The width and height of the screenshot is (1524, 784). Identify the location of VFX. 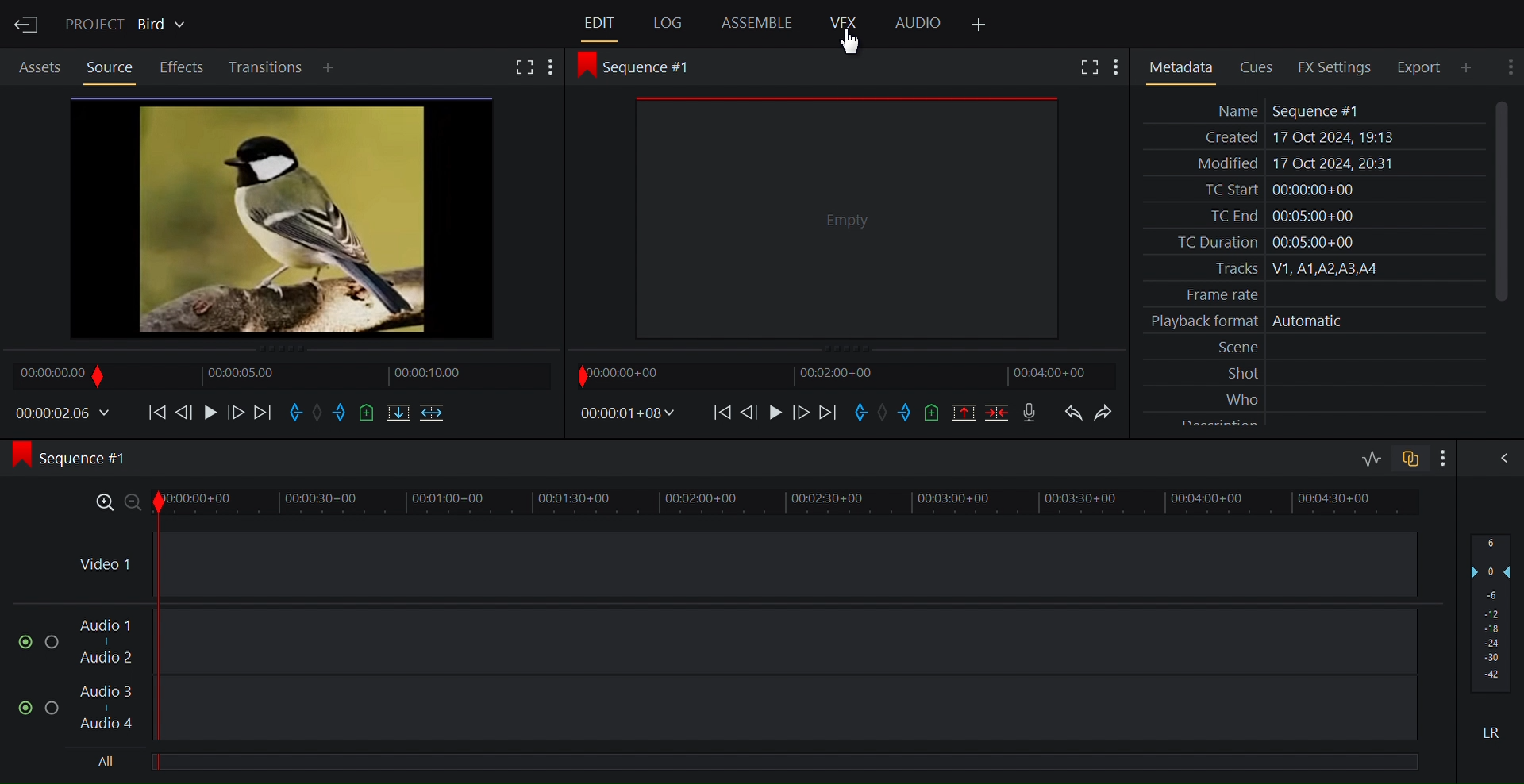
(845, 22).